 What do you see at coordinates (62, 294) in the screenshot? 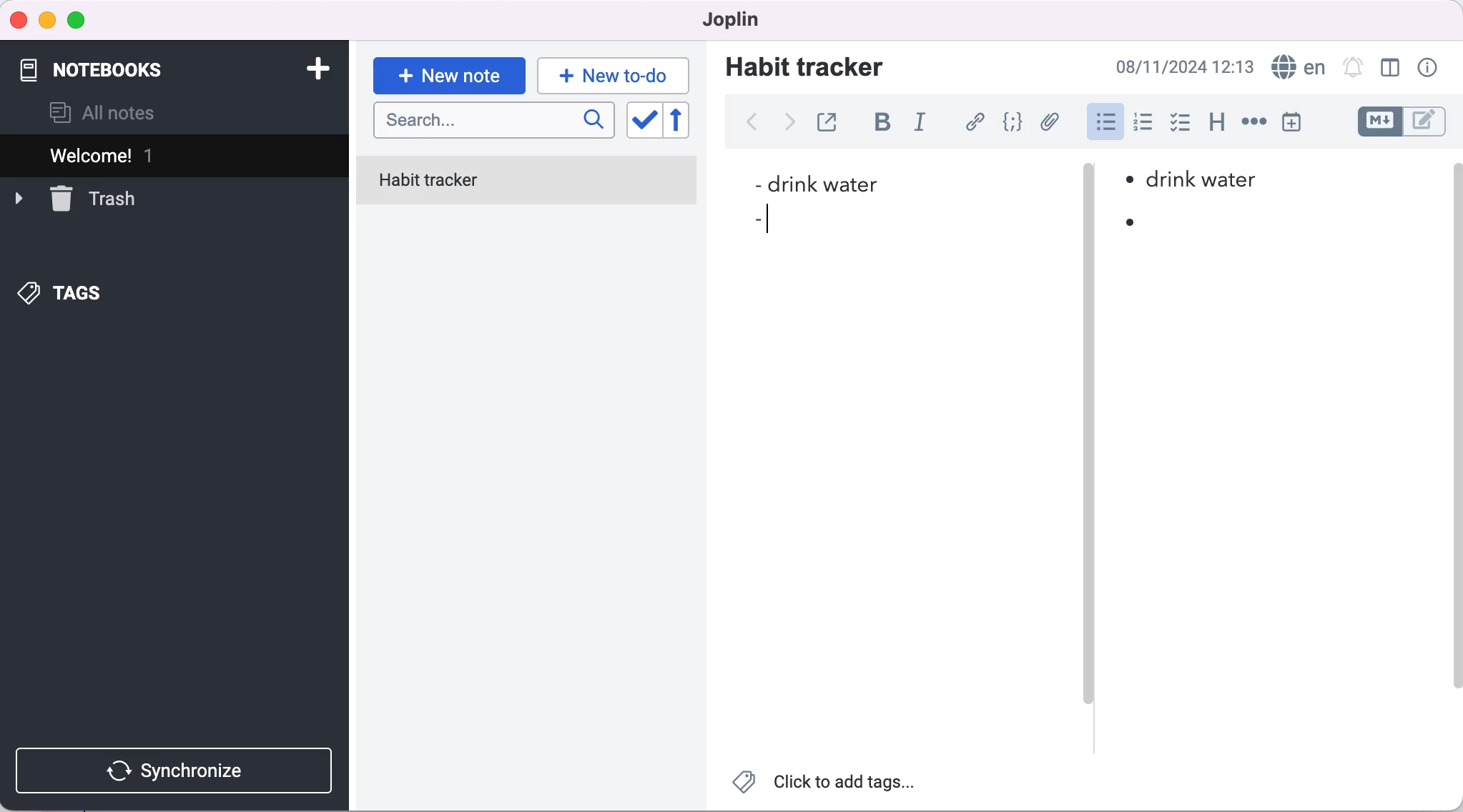
I see `tags` at bounding box center [62, 294].